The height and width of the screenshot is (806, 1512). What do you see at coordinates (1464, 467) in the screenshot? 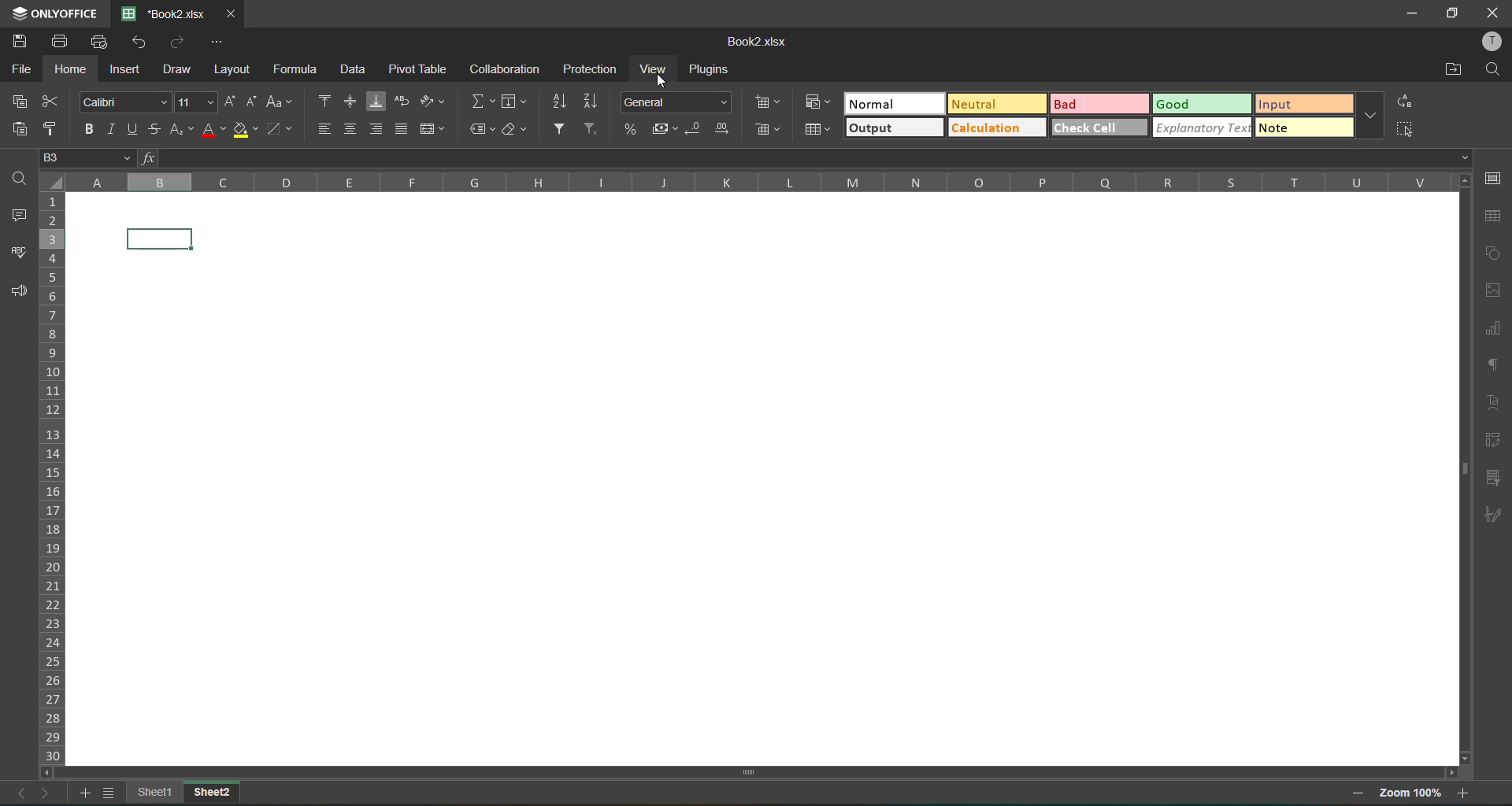
I see `scrollbar` at bounding box center [1464, 467].